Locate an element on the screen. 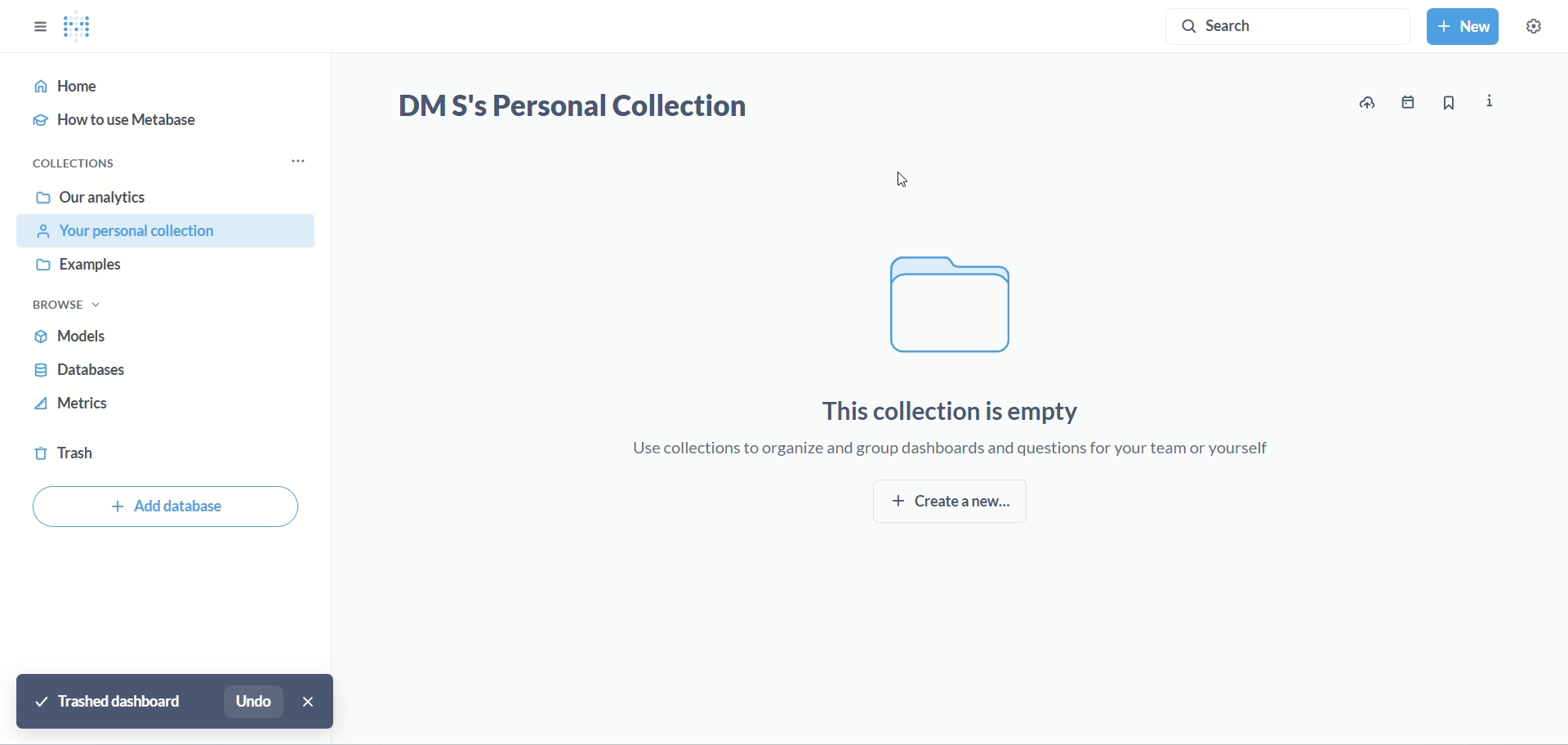  databases is located at coordinates (82, 372).